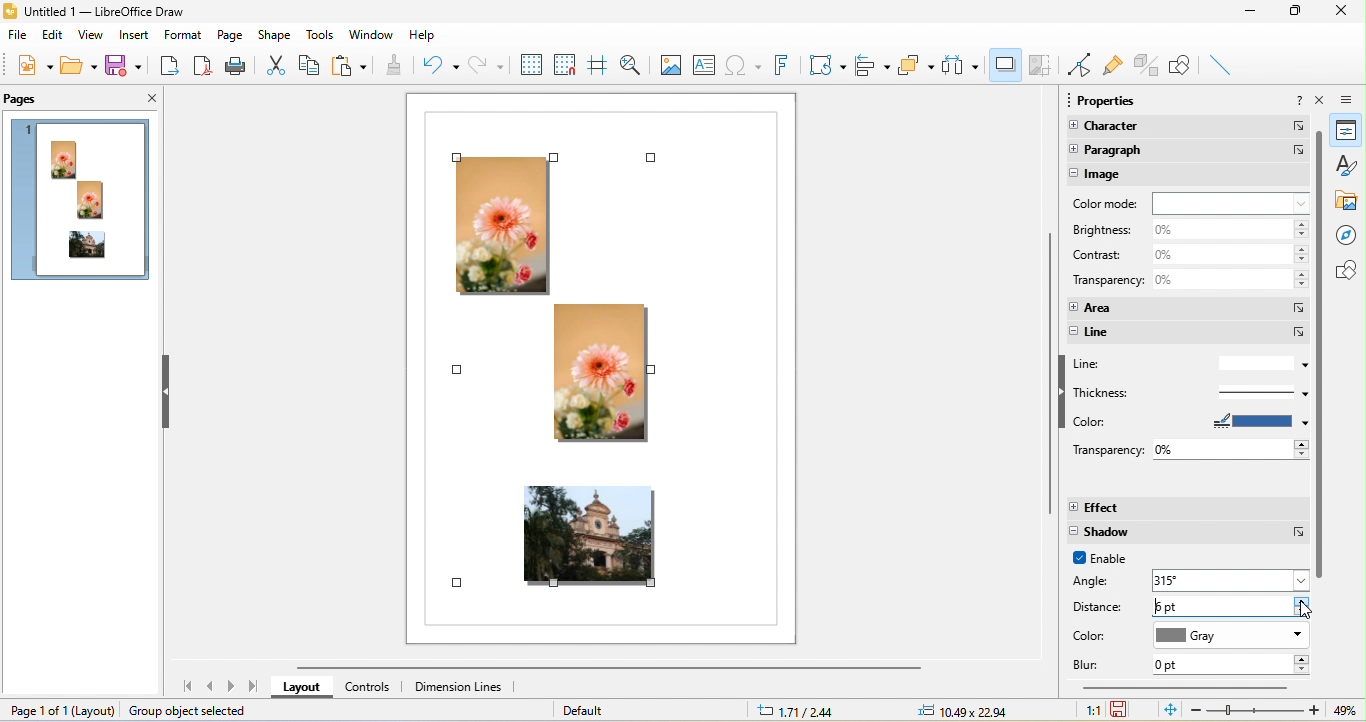 The image size is (1366, 722). What do you see at coordinates (1185, 128) in the screenshot?
I see `character` at bounding box center [1185, 128].